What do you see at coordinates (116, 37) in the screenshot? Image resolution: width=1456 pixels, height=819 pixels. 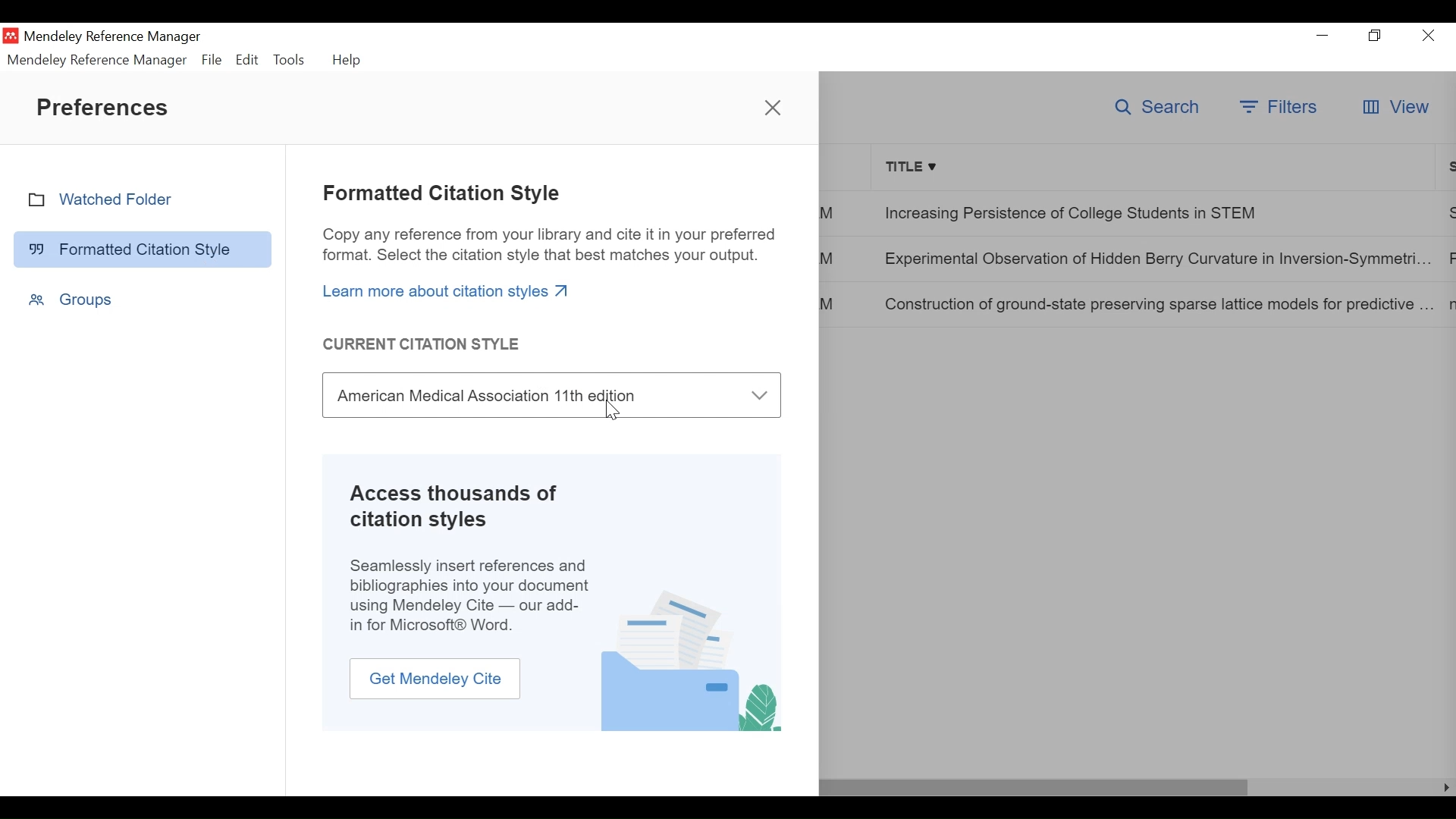 I see `Mendeley Reference Manager` at bounding box center [116, 37].